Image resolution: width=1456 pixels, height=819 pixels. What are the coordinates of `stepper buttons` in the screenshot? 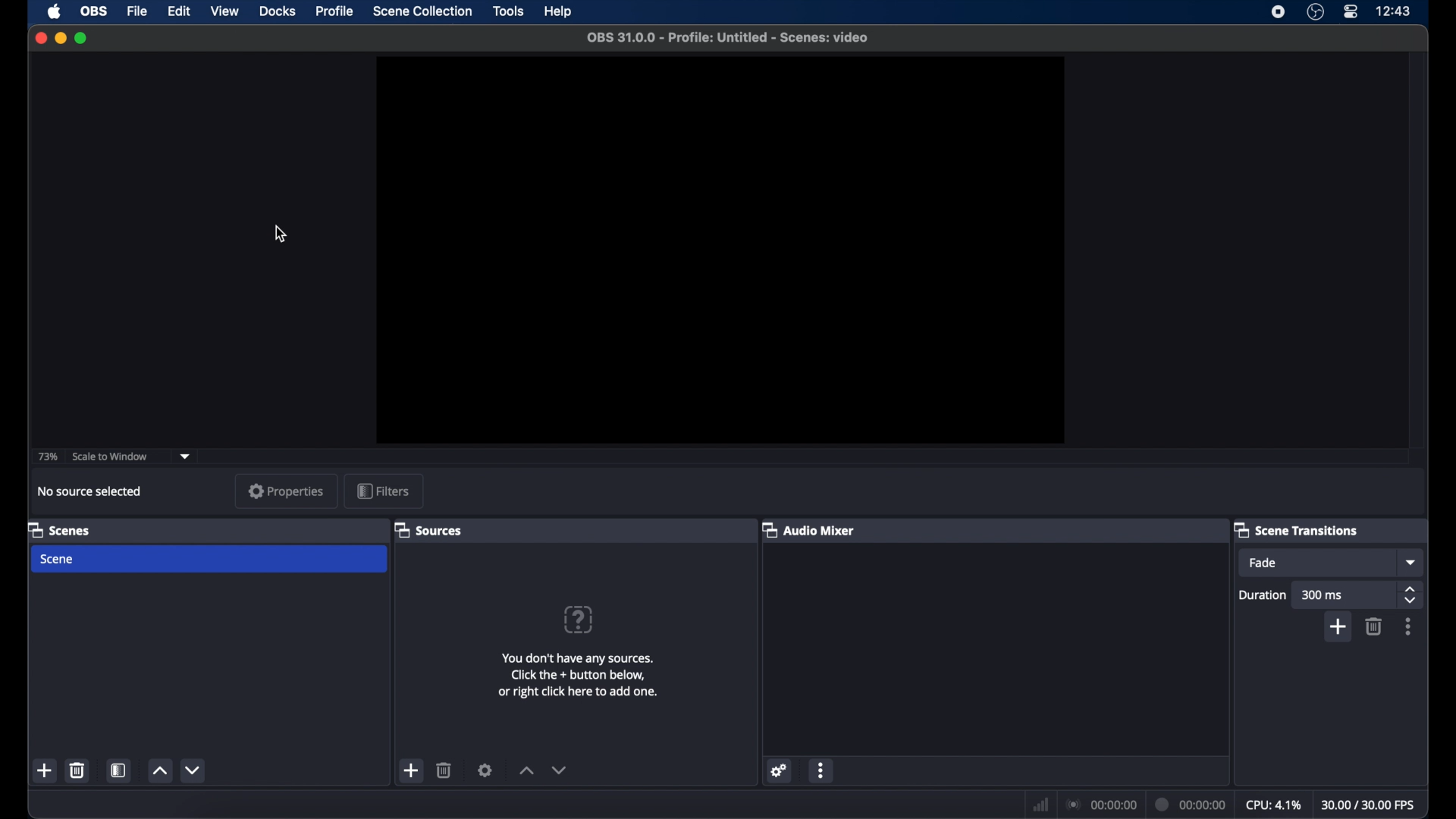 It's located at (1405, 595).